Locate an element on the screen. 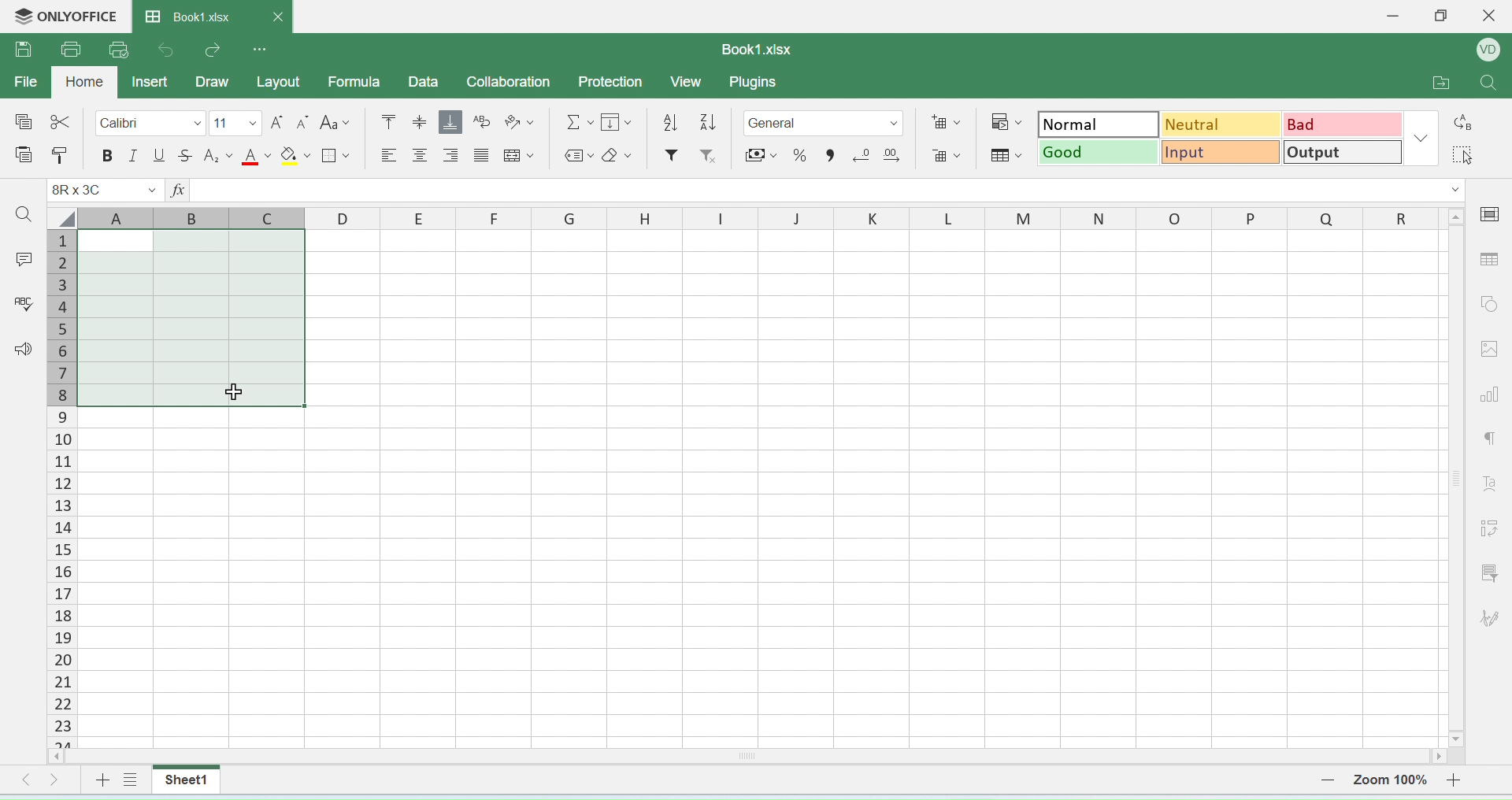 The image size is (1512, 800). chart is located at coordinates (1492, 392).